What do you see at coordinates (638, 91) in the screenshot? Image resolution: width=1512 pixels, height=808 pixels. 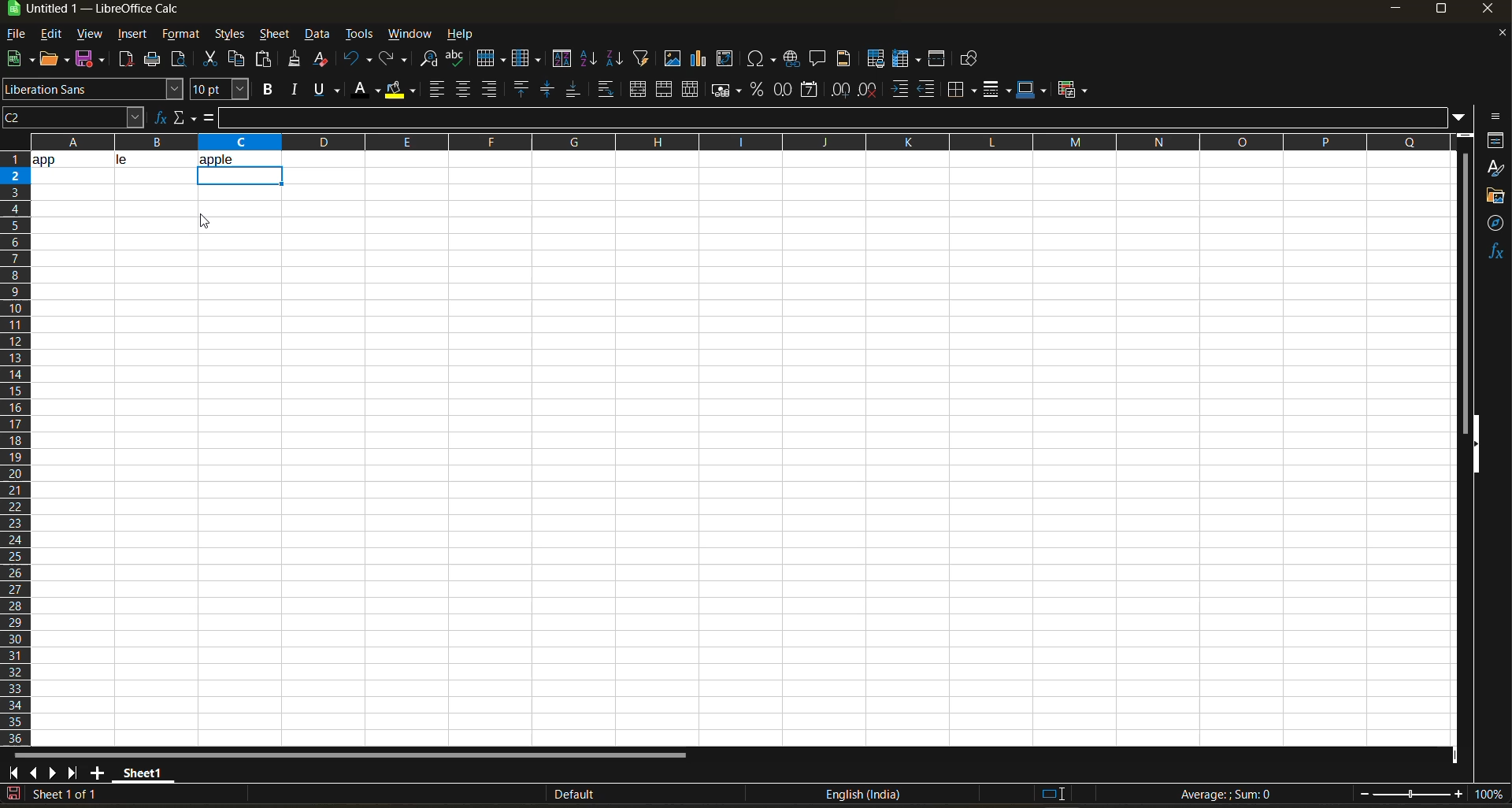 I see `merge and center` at bounding box center [638, 91].